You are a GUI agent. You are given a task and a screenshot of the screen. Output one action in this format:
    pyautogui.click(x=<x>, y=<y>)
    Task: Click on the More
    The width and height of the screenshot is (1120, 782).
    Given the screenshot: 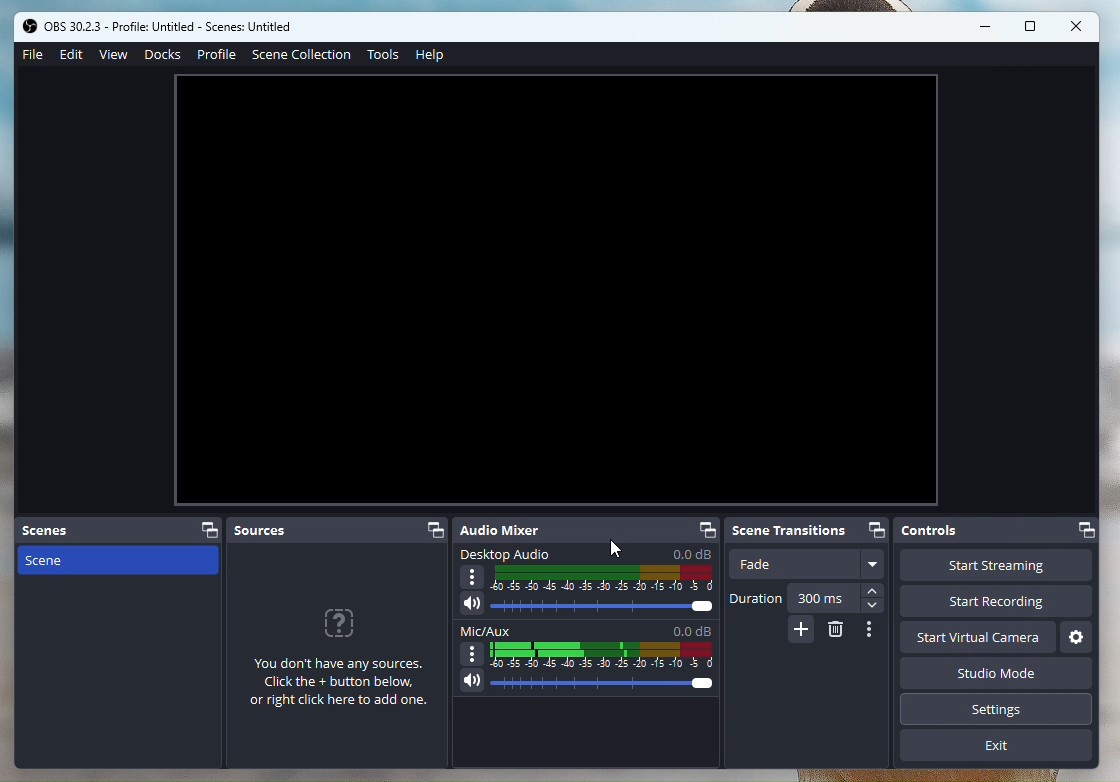 What is the action you would take?
    pyautogui.click(x=871, y=633)
    